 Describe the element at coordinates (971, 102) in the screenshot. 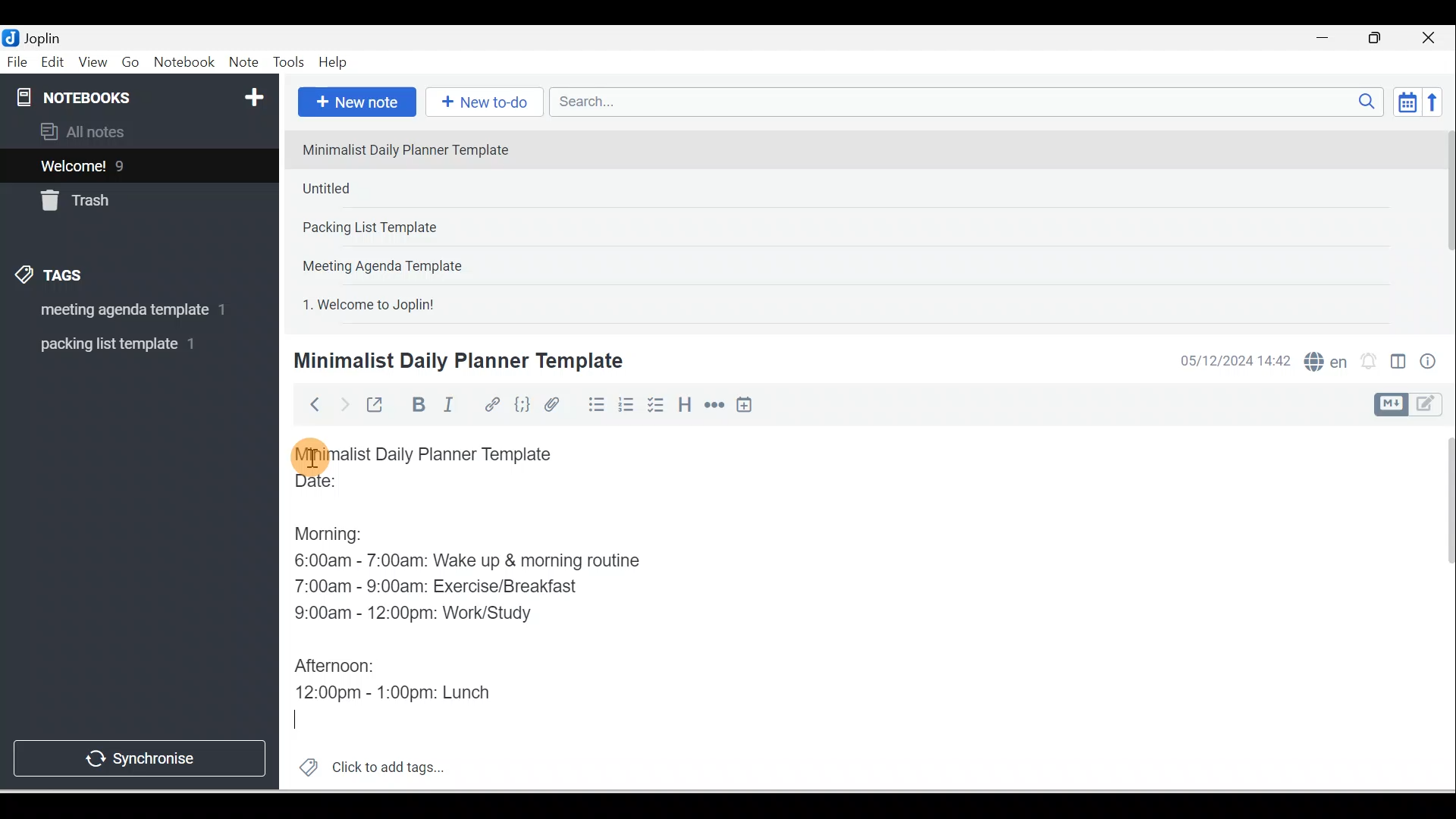

I see `Search bar` at that location.